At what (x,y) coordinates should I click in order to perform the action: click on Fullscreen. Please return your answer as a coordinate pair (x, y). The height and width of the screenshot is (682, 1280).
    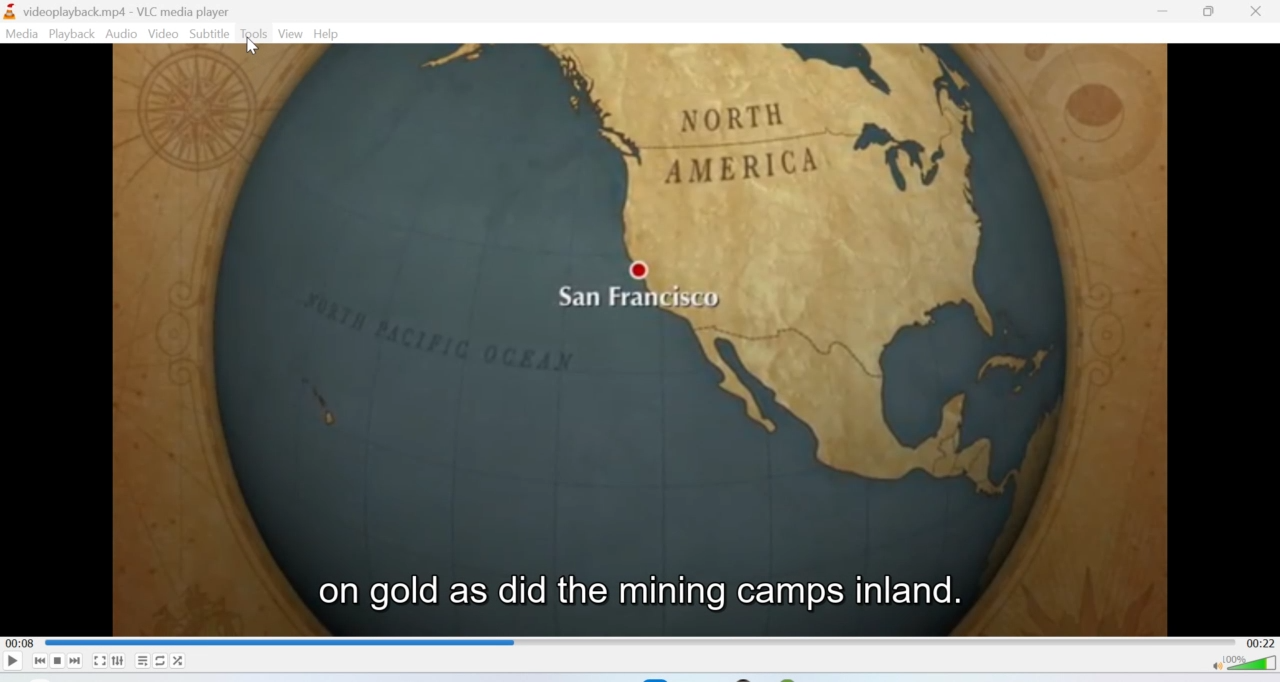
    Looking at the image, I should click on (99, 661).